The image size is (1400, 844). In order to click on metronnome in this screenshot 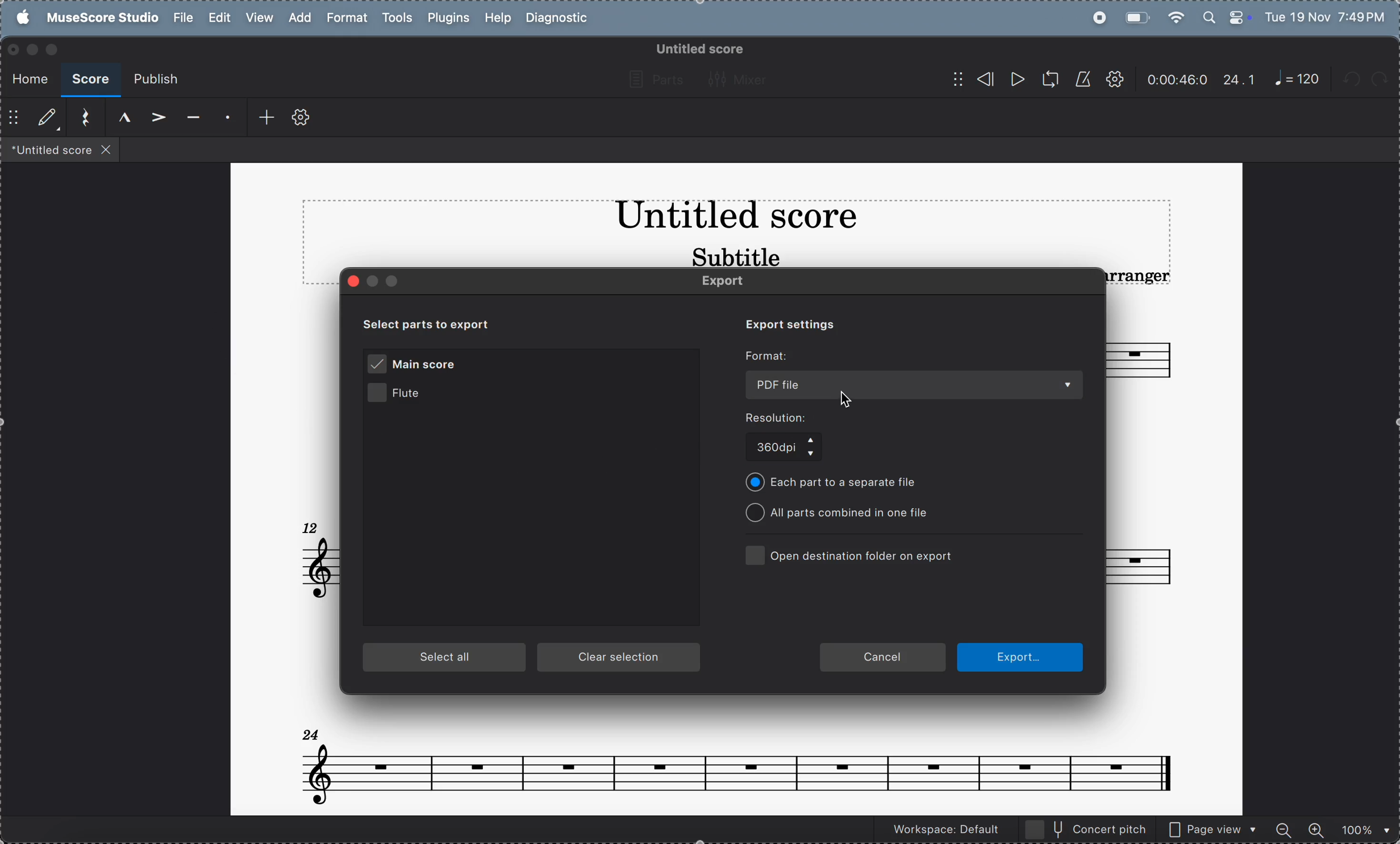, I will do `click(1081, 79)`.